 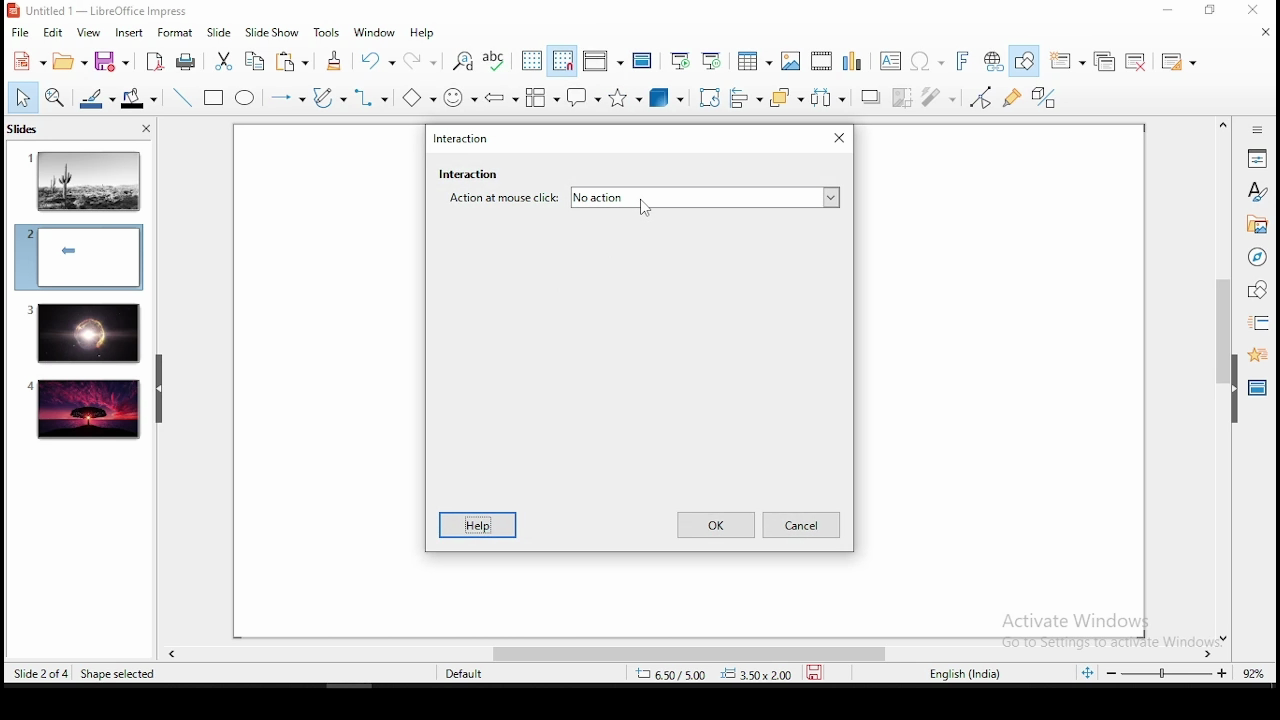 What do you see at coordinates (981, 99) in the screenshot?
I see `toggle point edit mode` at bounding box center [981, 99].